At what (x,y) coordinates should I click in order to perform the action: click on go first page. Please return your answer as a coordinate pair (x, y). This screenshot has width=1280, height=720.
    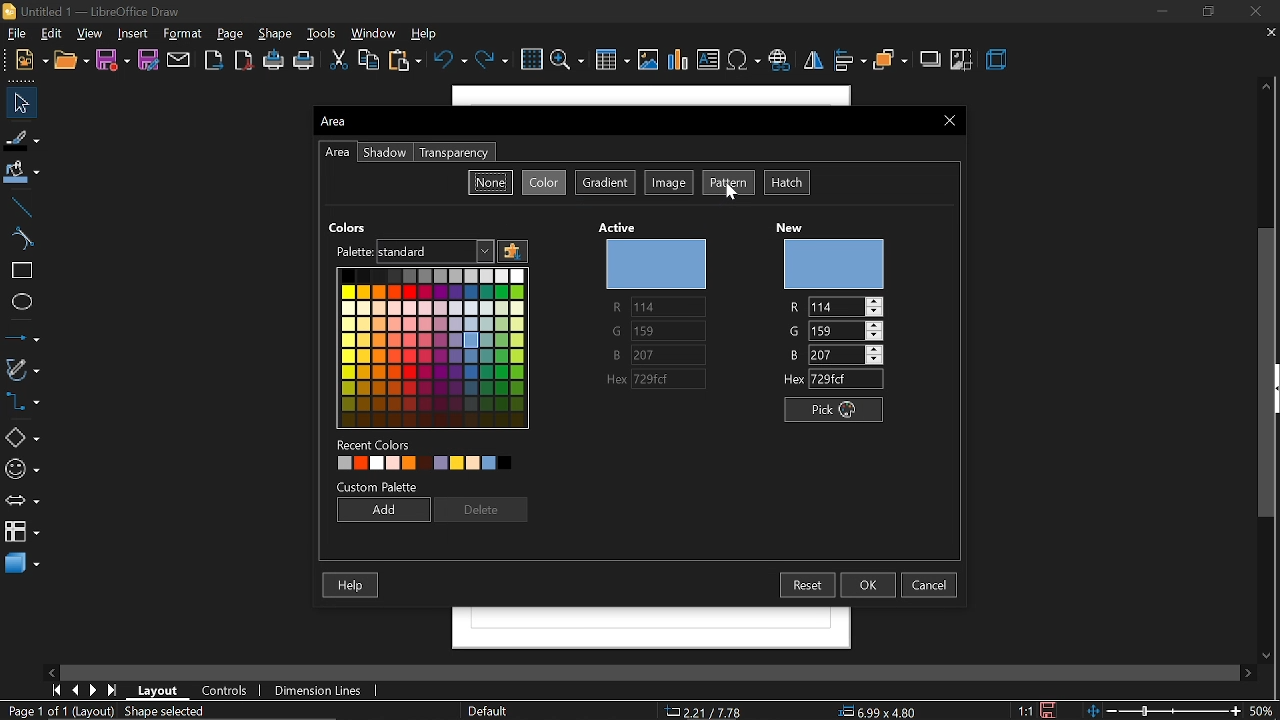
    Looking at the image, I should click on (54, 690).